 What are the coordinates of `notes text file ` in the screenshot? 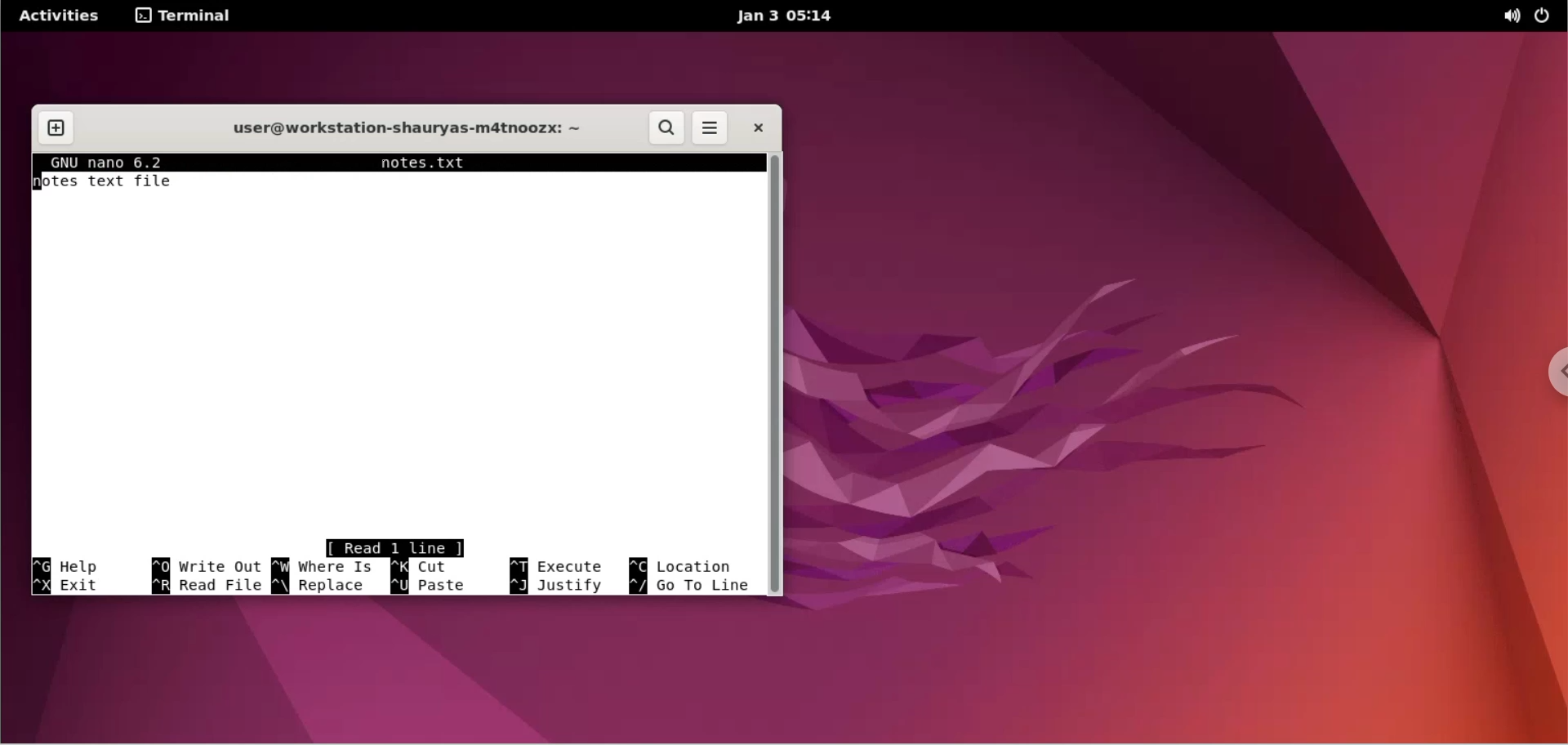 It's located at (123, 182).